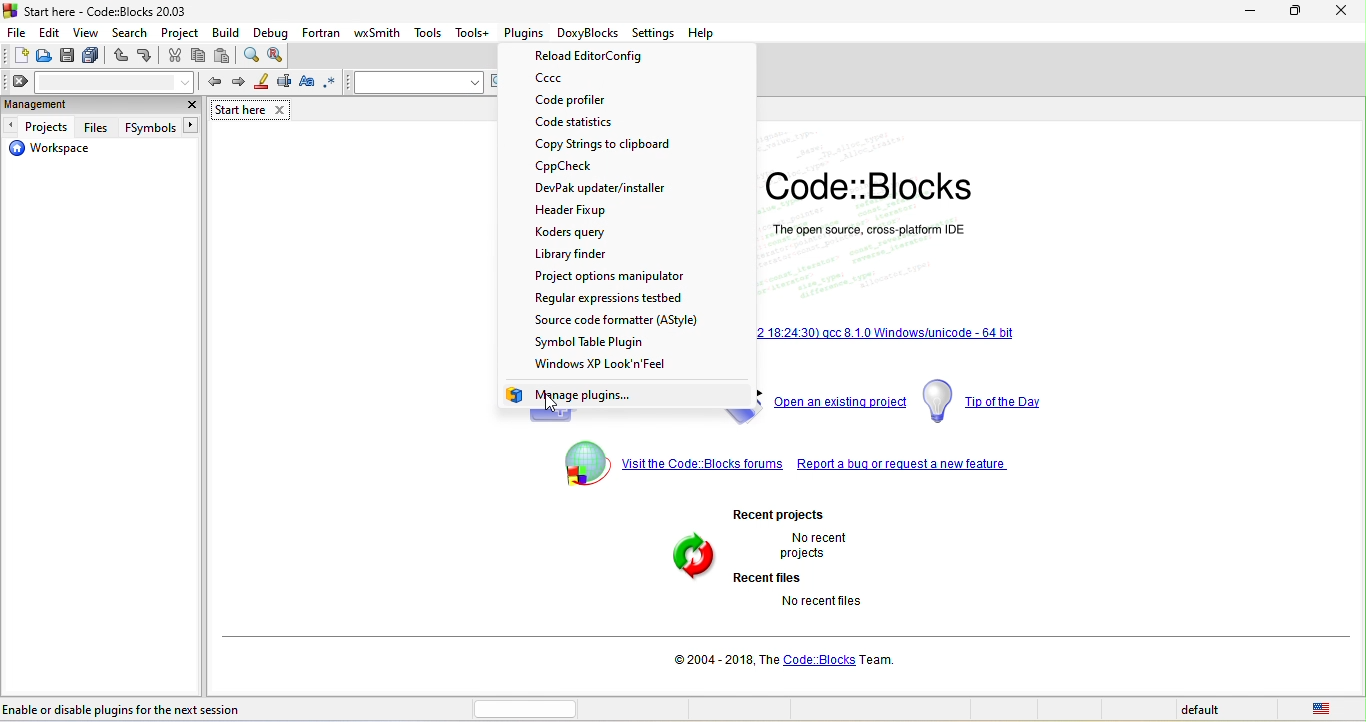 Image resolution: width=1366 pixels, height=722 pixels. I want to click on library finder, so click(582, 253).